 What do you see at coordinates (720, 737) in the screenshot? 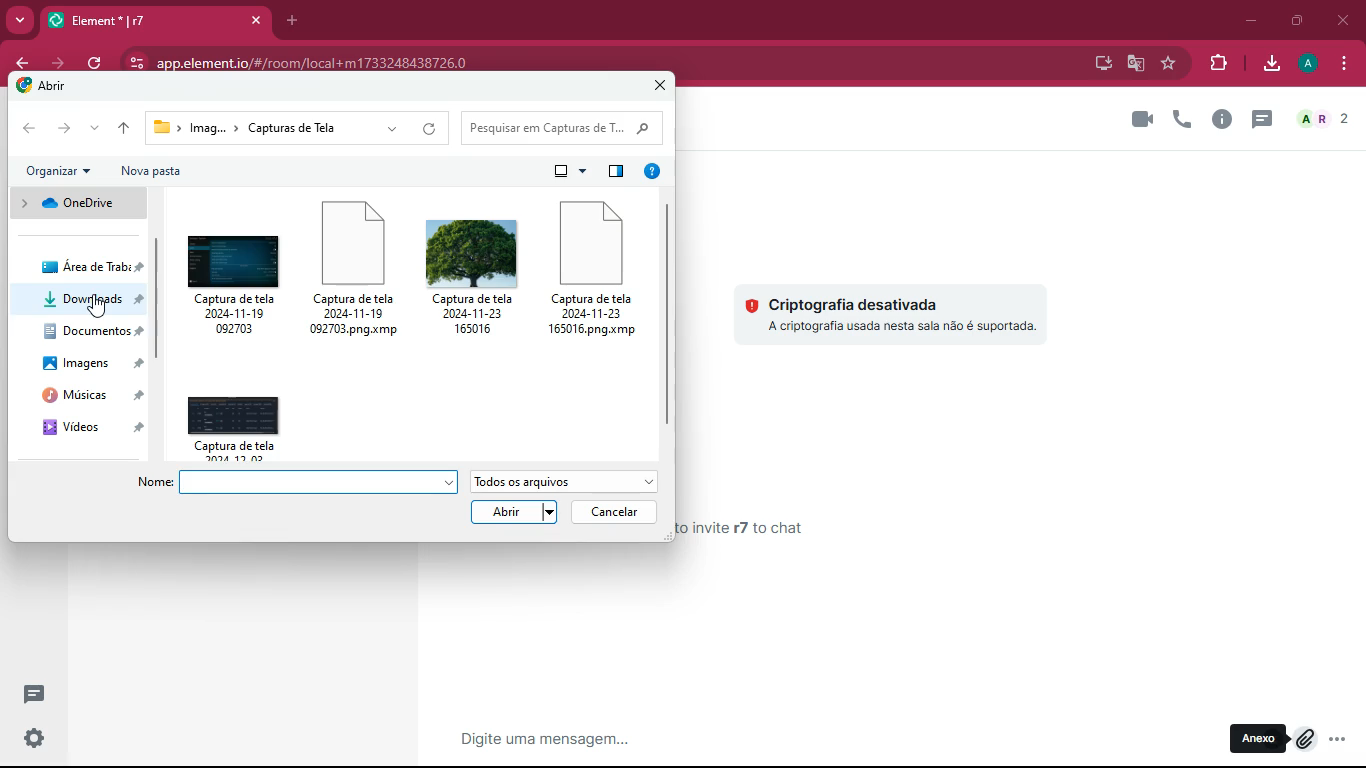
I see `message` at bounding box center [720, 737].